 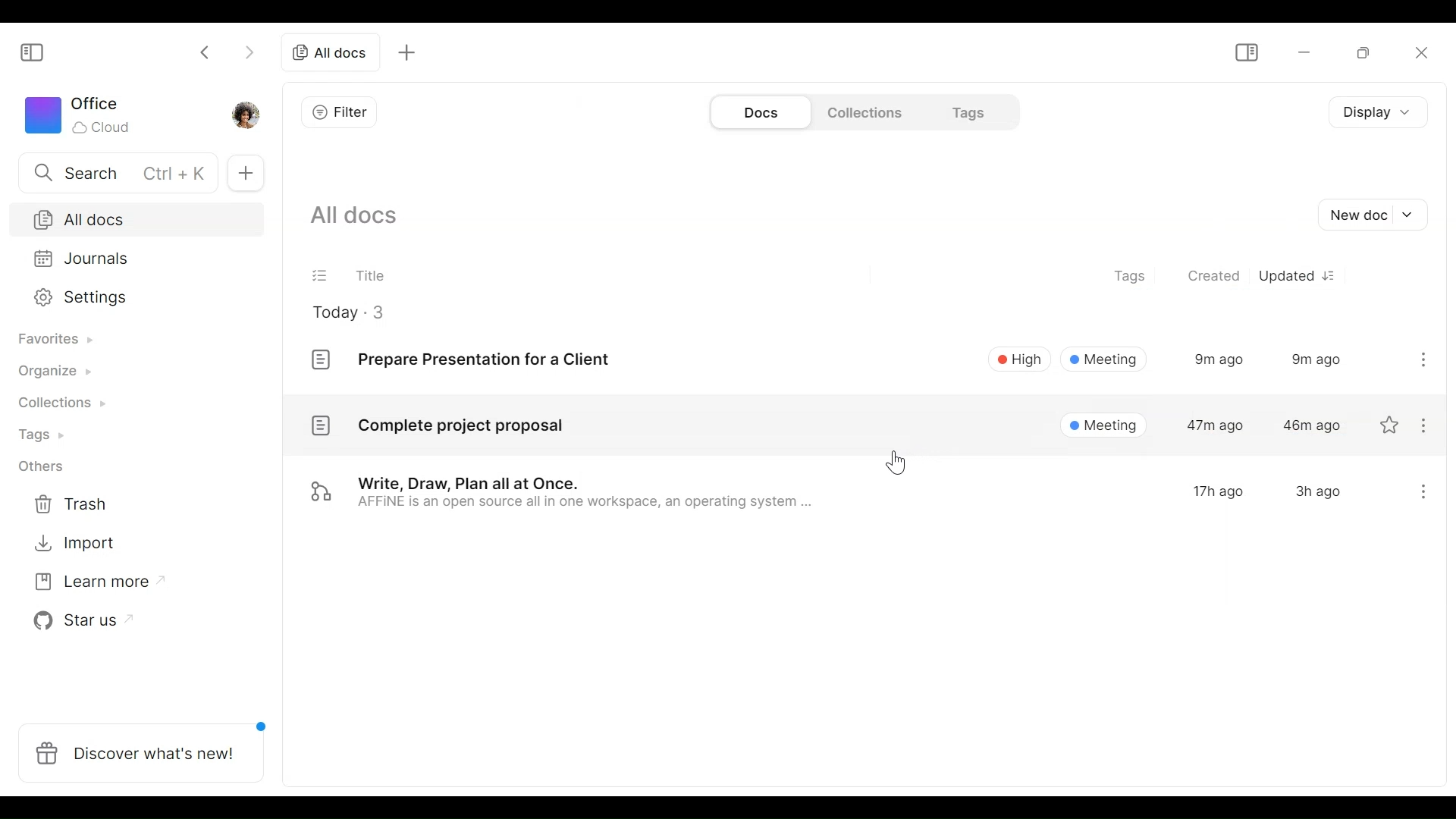 I want to click on Settings, so click(x=127, y=298).